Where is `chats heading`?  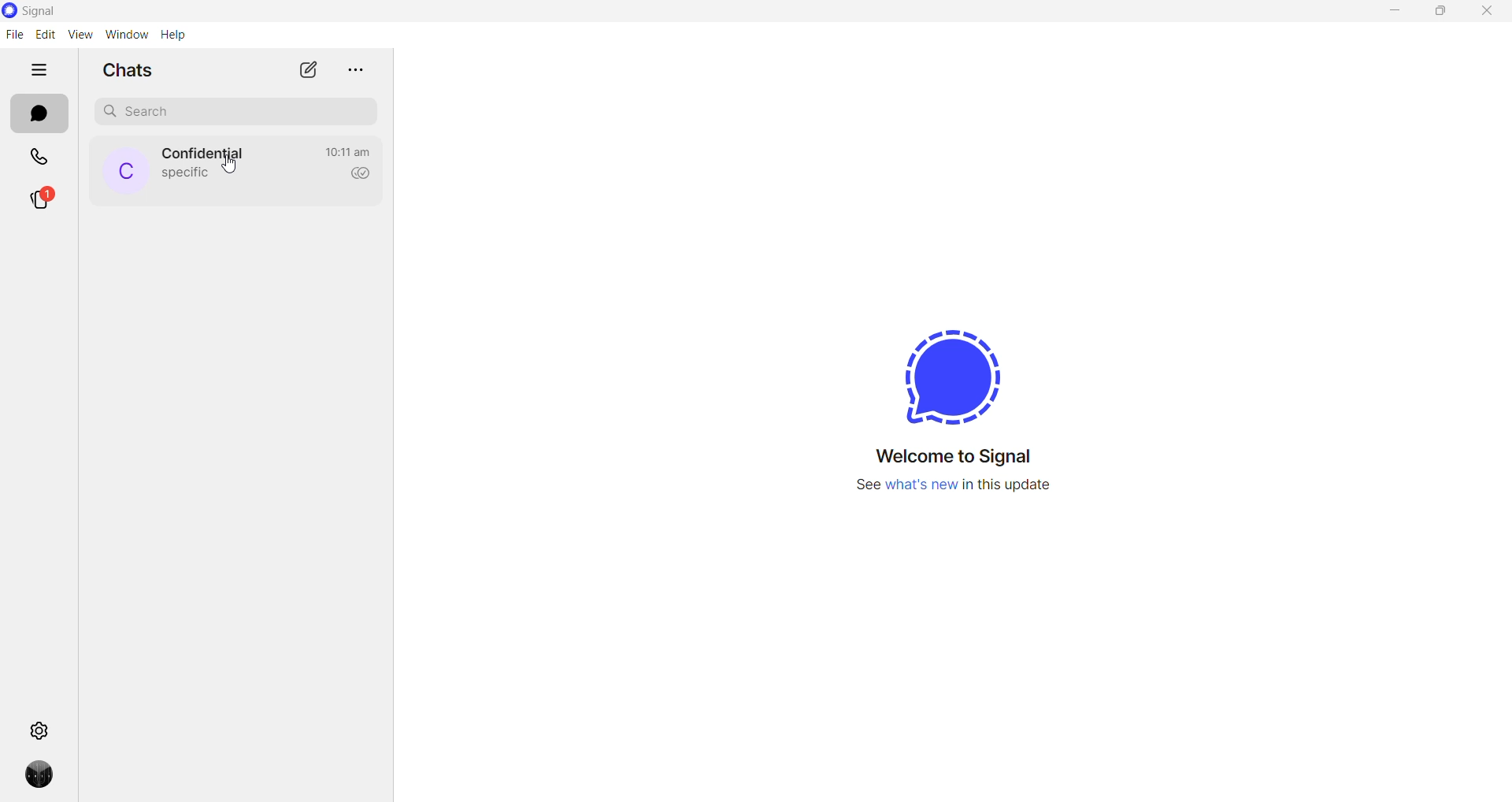 chats heading is located at coordinates (124, 70).